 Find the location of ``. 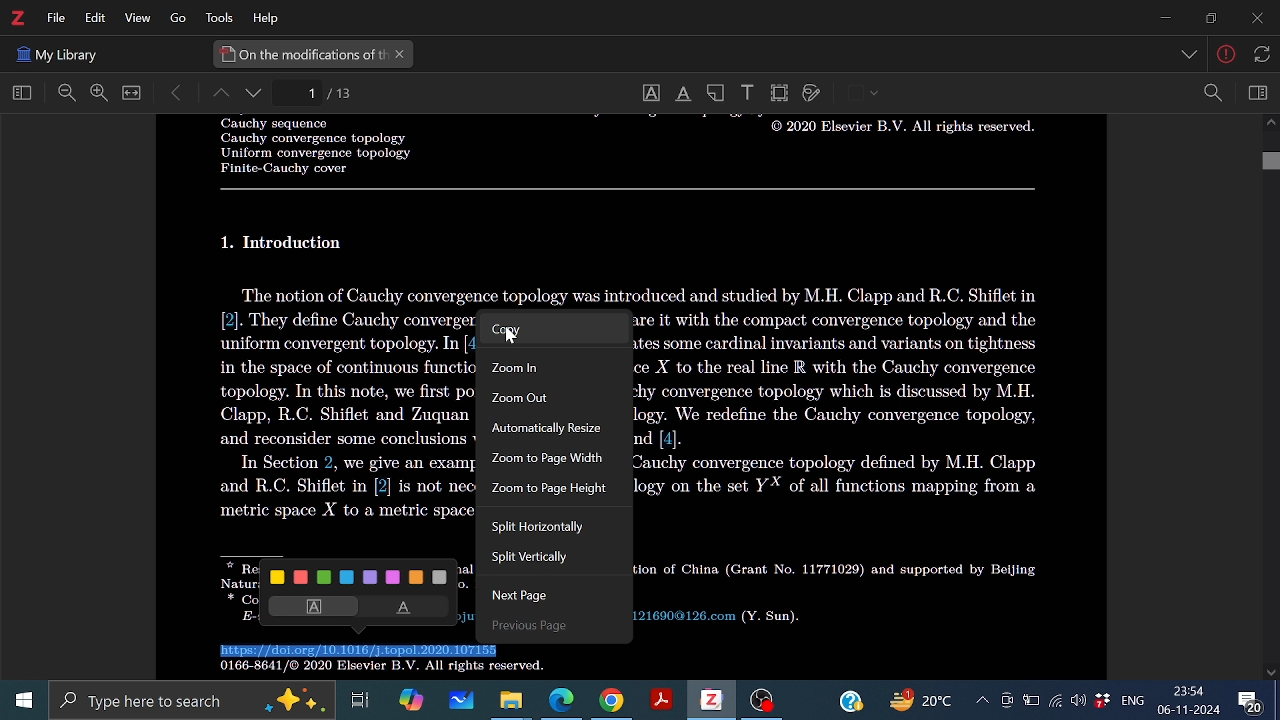

 is located at coordinates (511, 336).